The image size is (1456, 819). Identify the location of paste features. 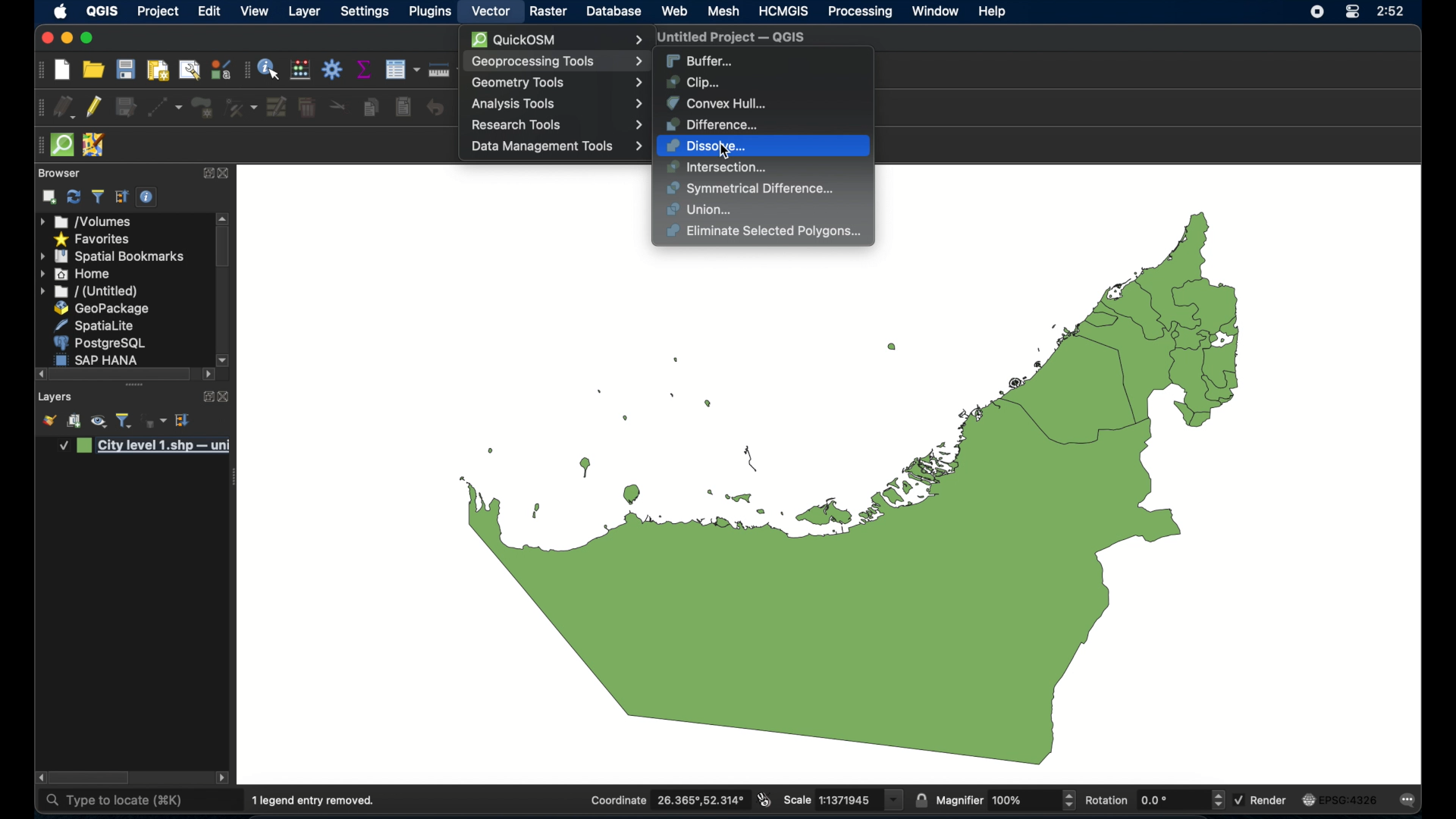
(403, 108).